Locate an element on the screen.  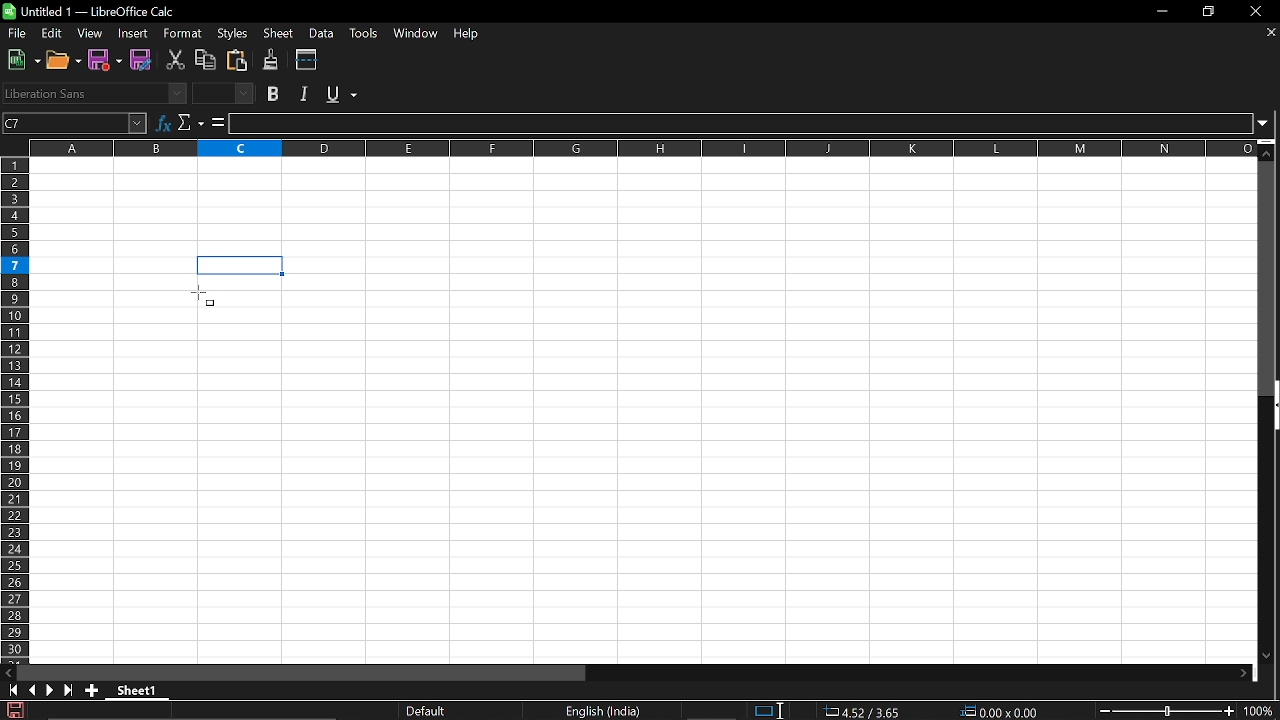
Fillable cells is located at coordinates (113, 265).